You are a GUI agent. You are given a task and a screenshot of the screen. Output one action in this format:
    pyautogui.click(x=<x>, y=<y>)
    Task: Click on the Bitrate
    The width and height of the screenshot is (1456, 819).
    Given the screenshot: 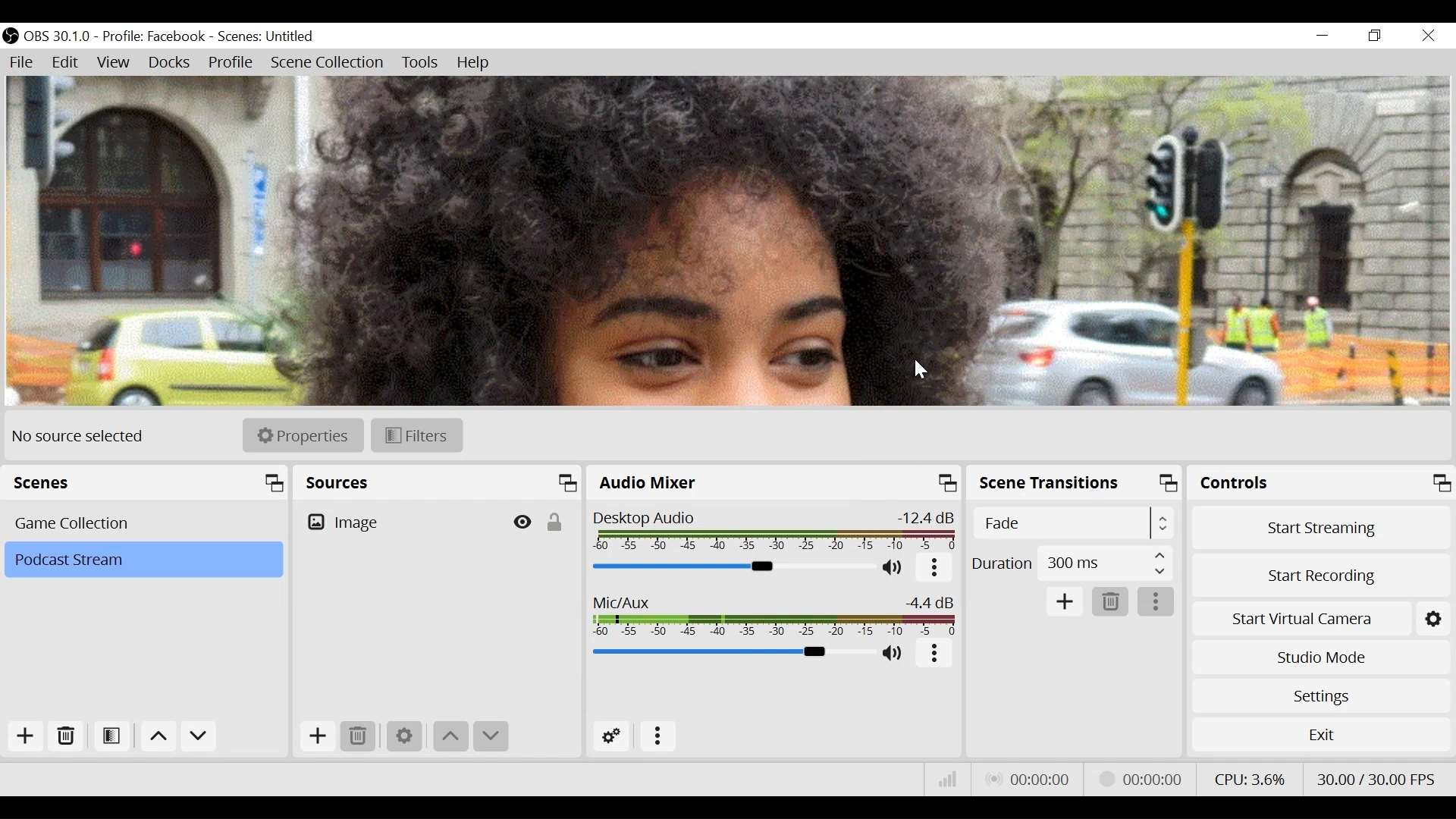 What is the action you would take?
    pyautogui.click(x=949, y=779)
    